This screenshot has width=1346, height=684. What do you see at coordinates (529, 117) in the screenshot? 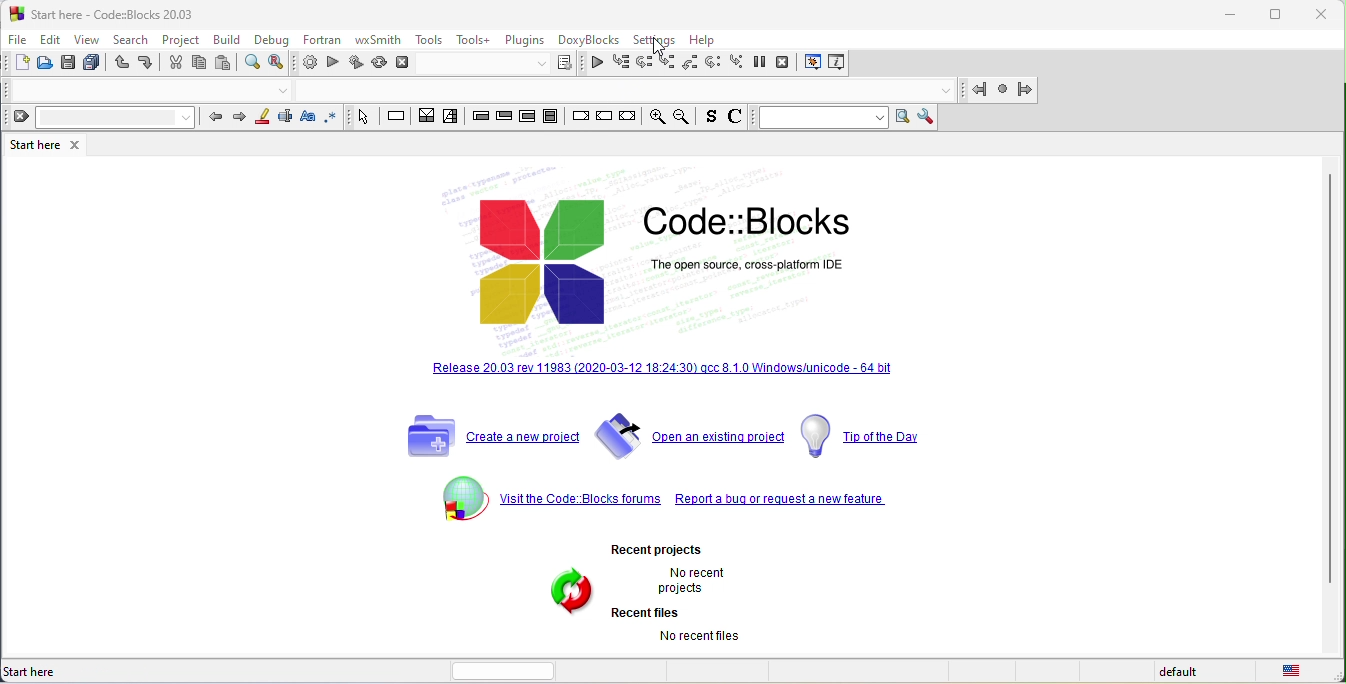
I see `counting loop` at bounding box center [529, 117].